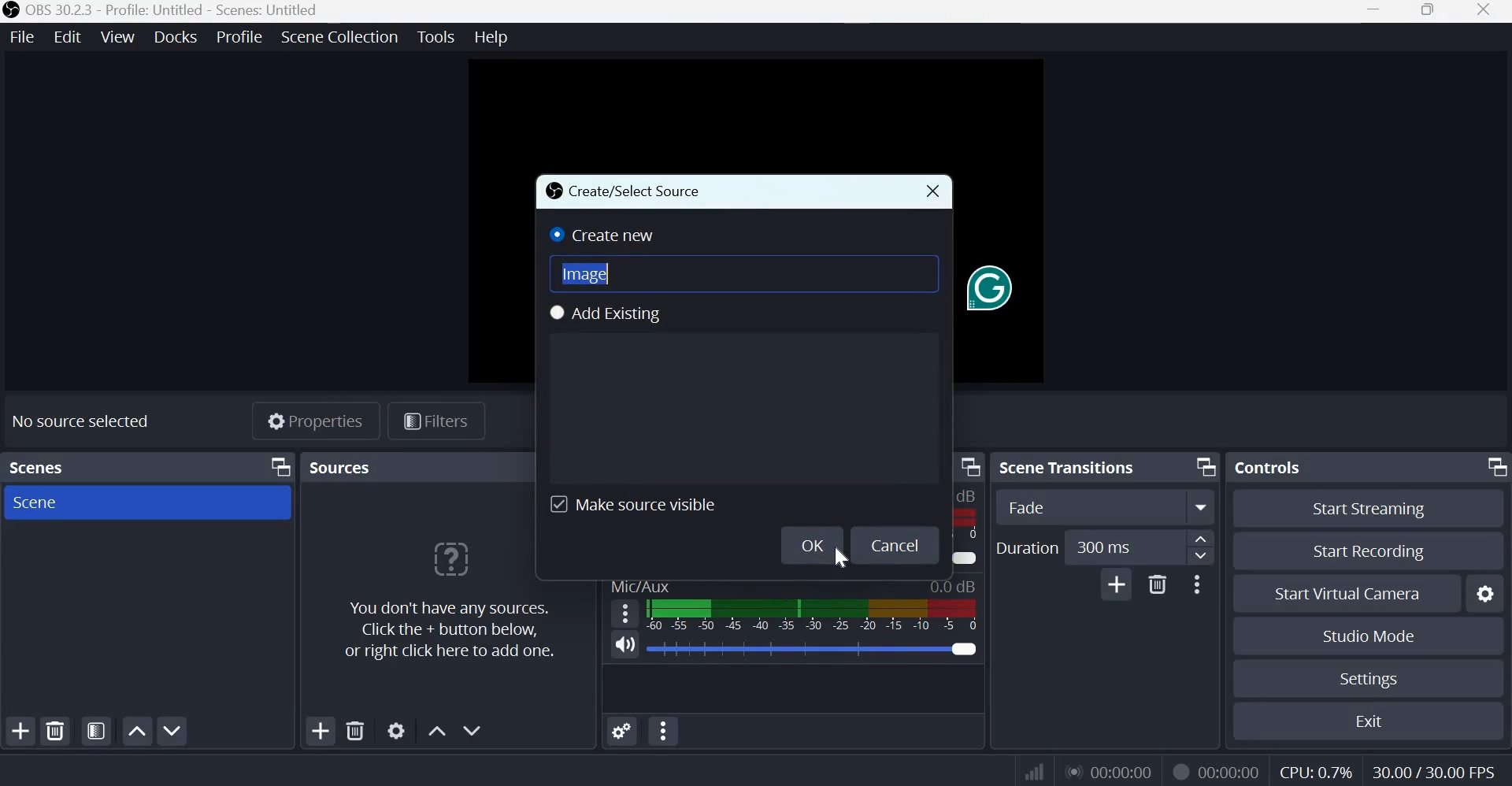 The image size is (1512, 786). Describe the element at coordinates (319, 729) in the screenshot. I see `Add source(s)` at that location.